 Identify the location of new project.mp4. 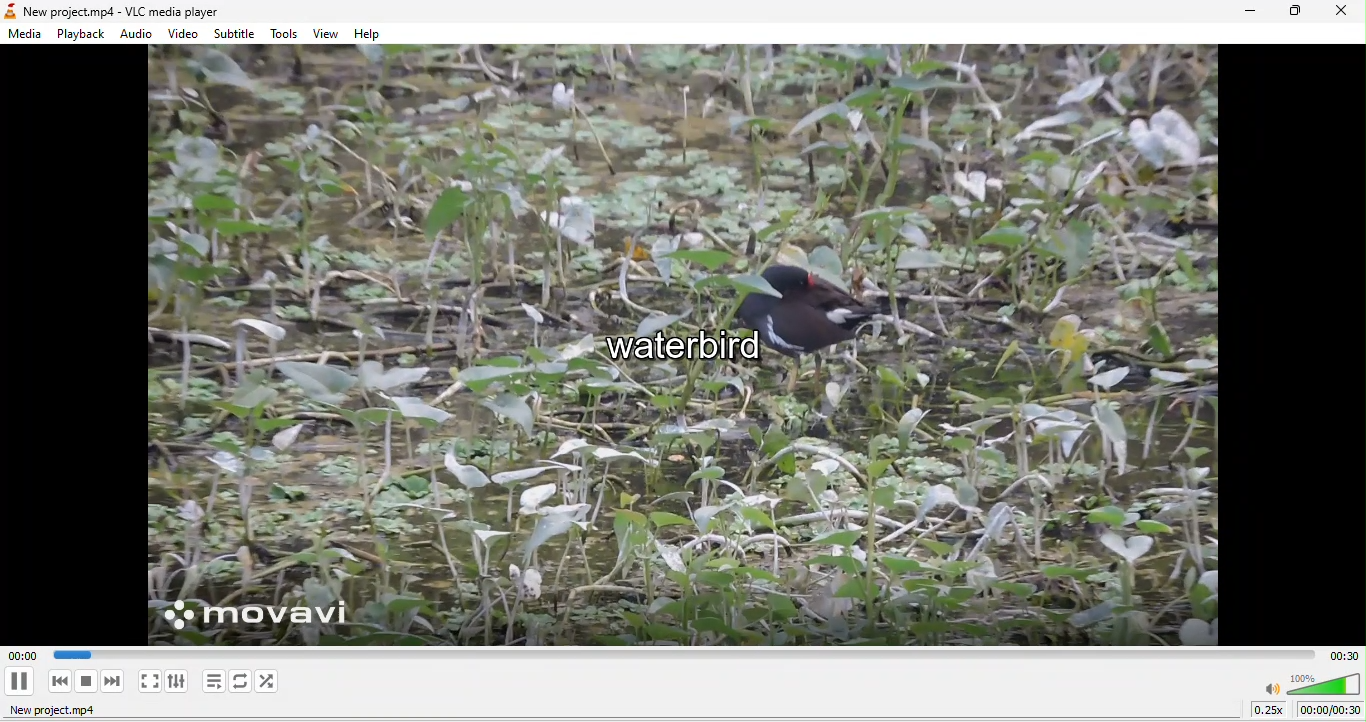
(82, 712).